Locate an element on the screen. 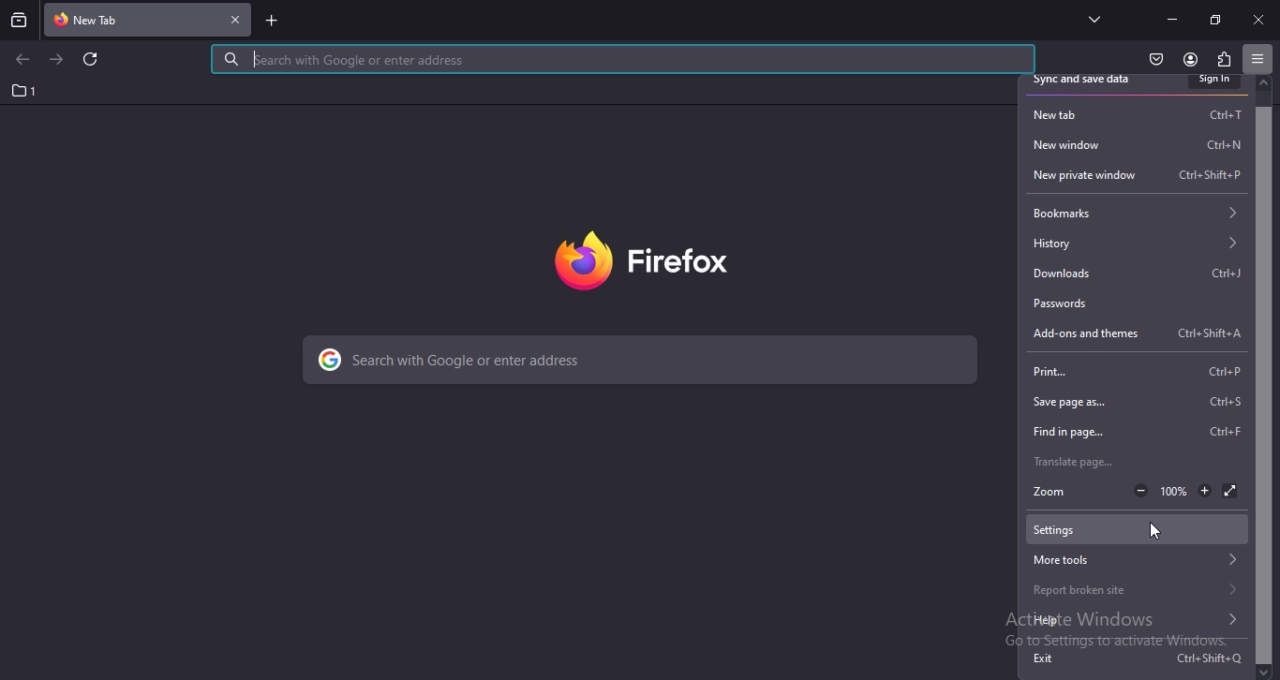 Image resolution: width=1280 pixels, height=680 pixels. downloads is located at coordinates (1134, 270).